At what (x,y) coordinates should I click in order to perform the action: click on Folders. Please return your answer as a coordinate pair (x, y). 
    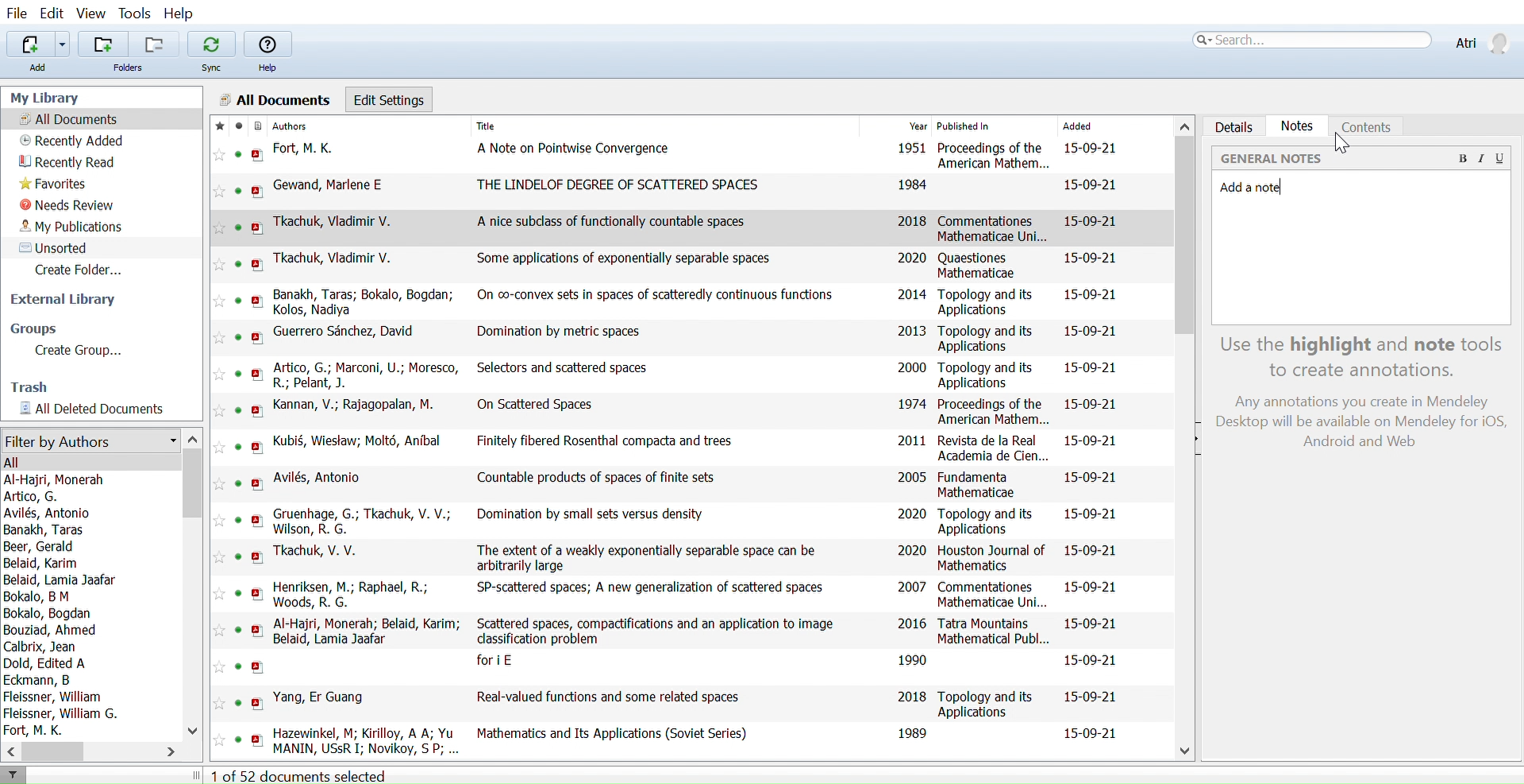
    Looking at the image, I should click on (130, 67).